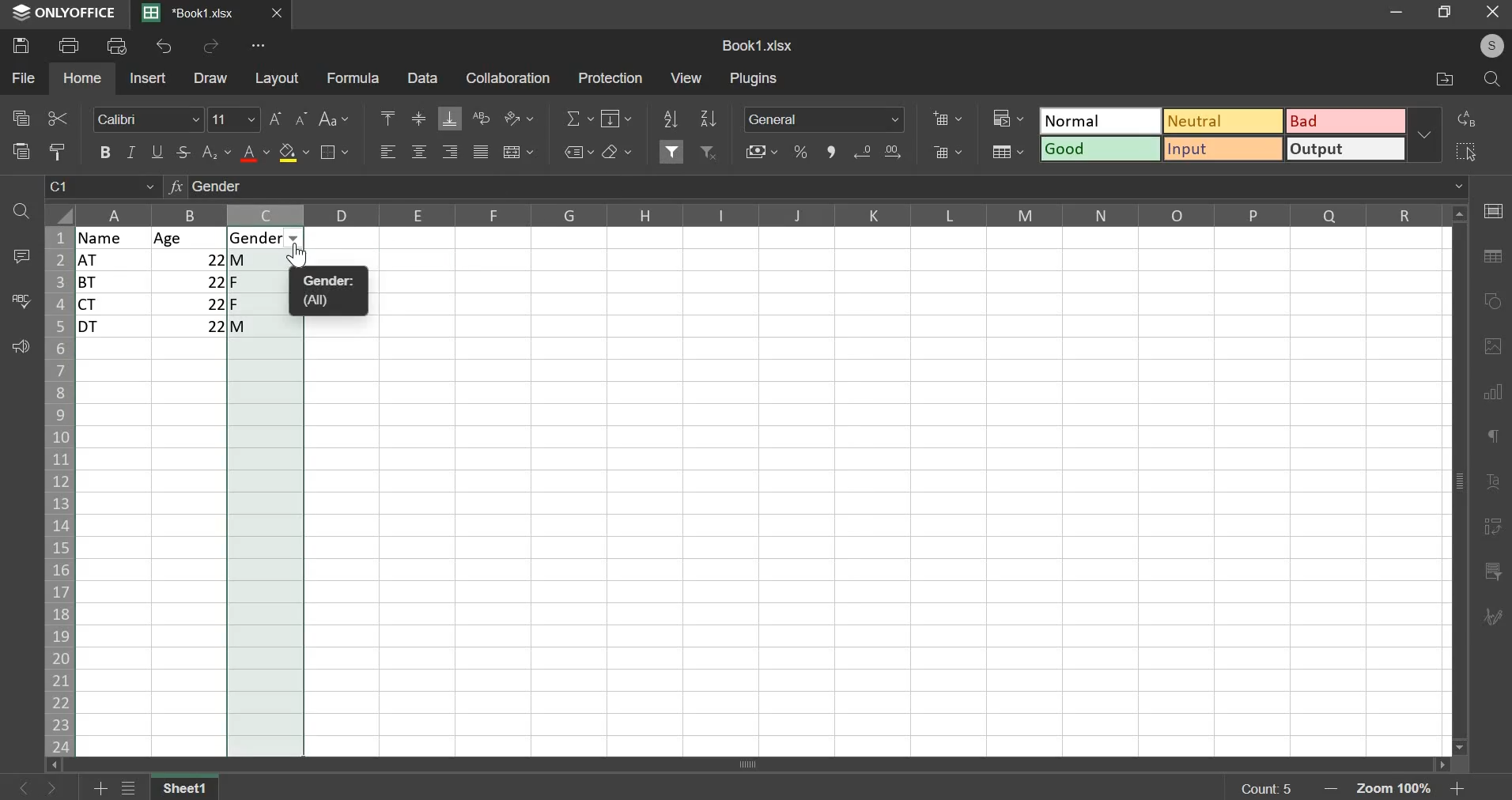  What do you see at coordinates (103, 190) in the screenshot?
I see `cell name` at bounding box center [103, 190].